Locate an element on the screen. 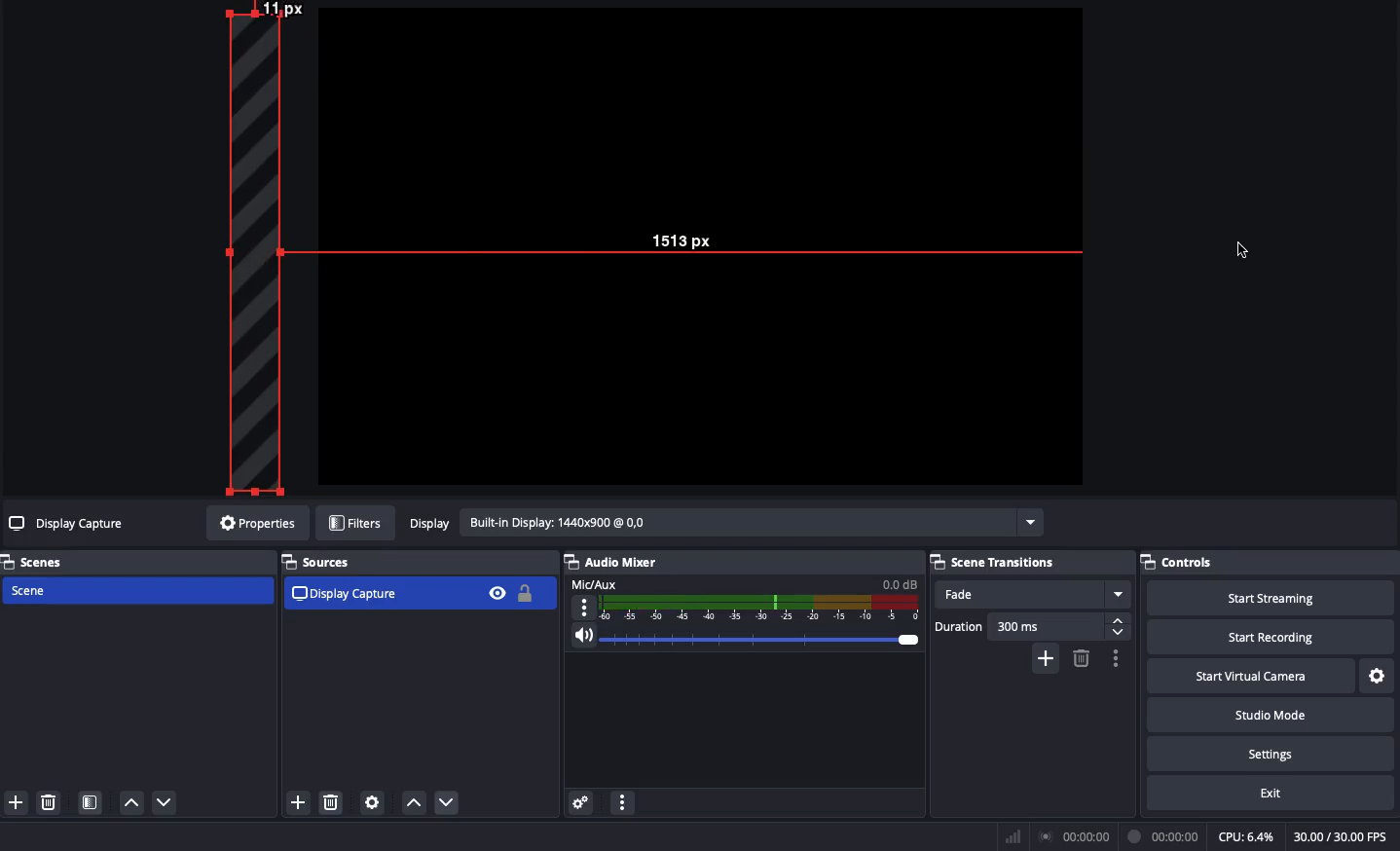 This screenshot has width=1400, height=851. Locked is located at coordinates (523, 593).